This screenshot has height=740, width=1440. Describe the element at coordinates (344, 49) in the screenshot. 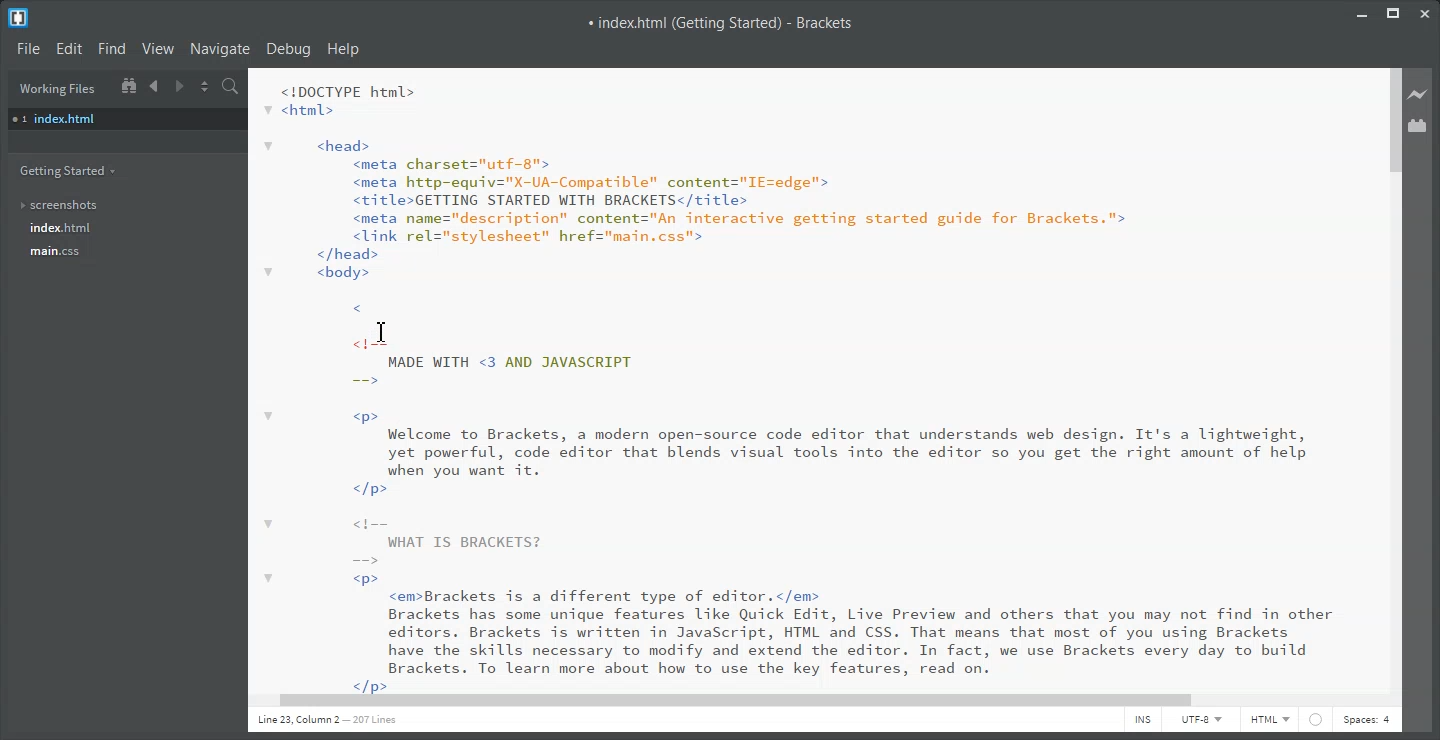

I see `Help` at that location.